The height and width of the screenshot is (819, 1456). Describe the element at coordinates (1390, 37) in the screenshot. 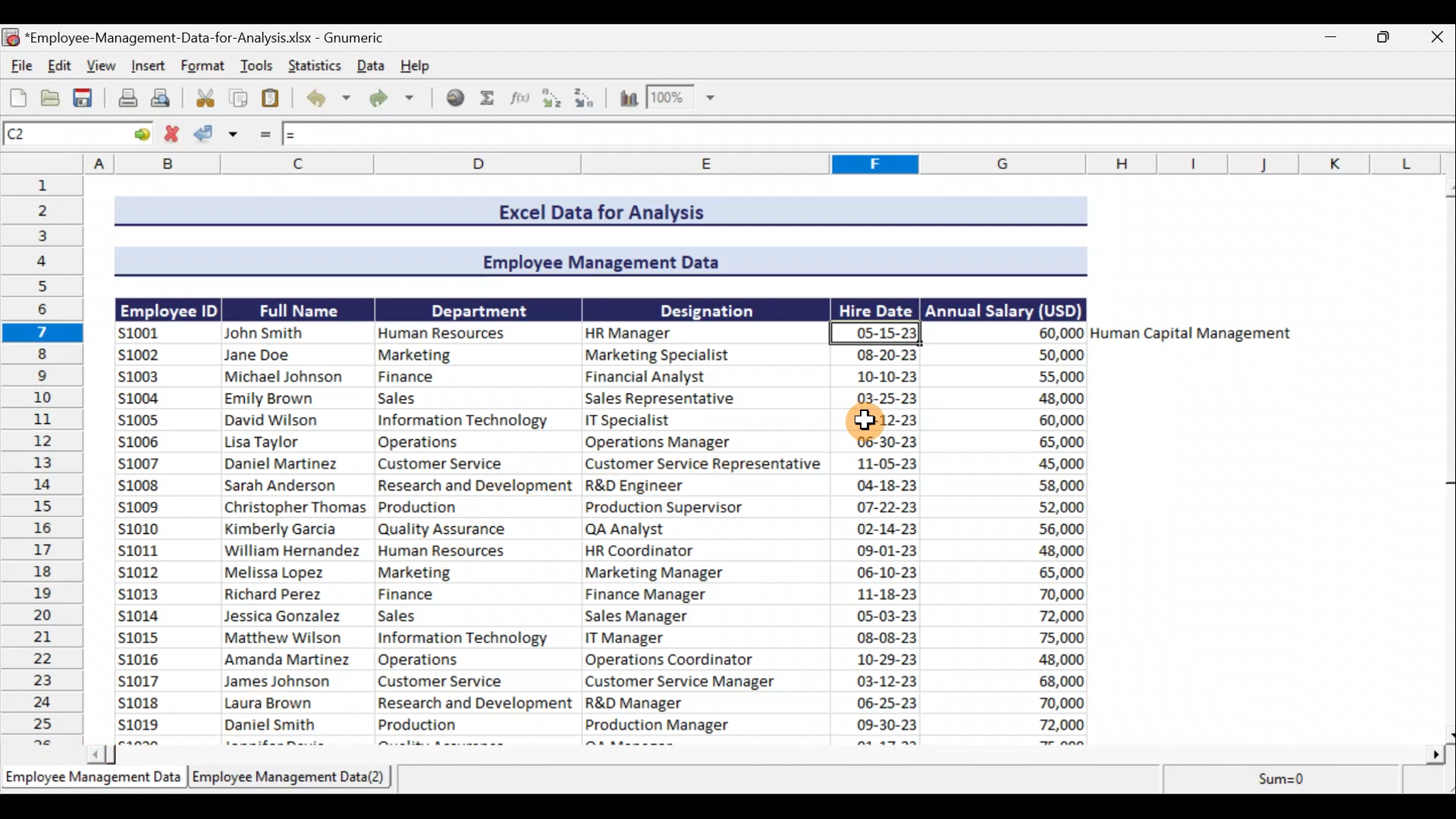

I see `Maximise` at that location.